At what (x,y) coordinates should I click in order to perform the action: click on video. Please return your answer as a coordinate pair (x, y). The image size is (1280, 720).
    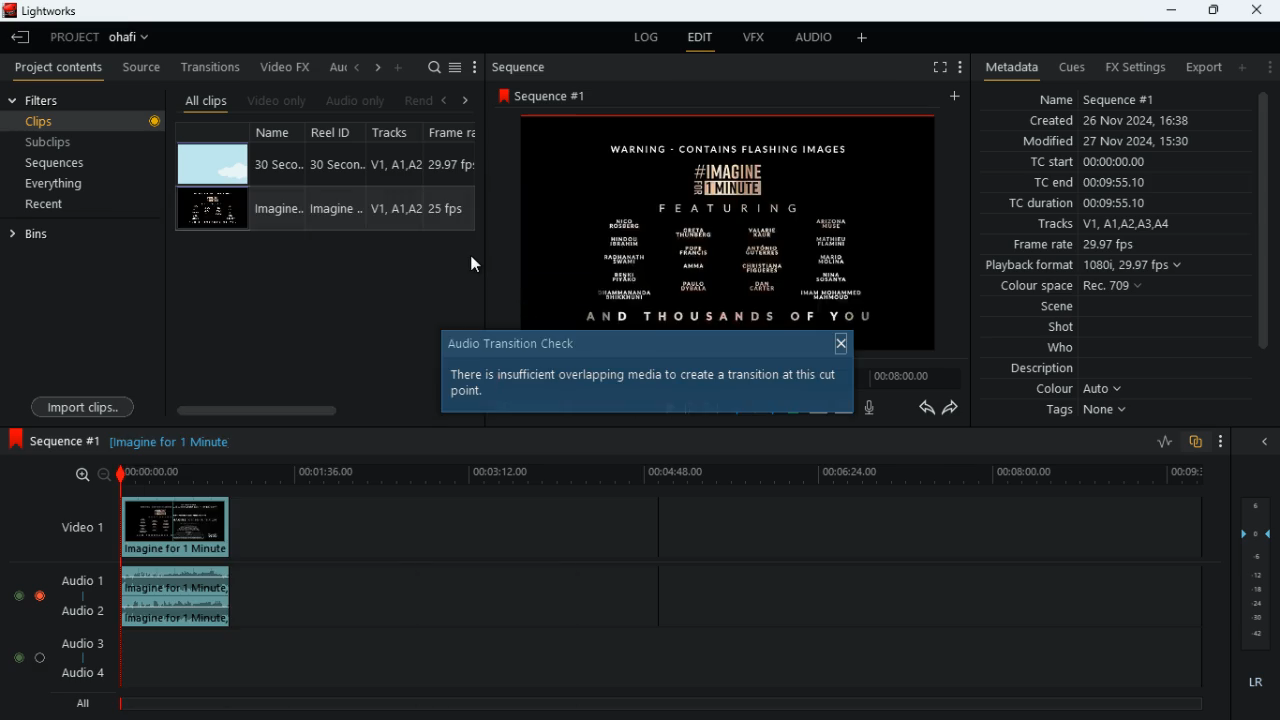
    Looking at the image, I should click on (178, 528).